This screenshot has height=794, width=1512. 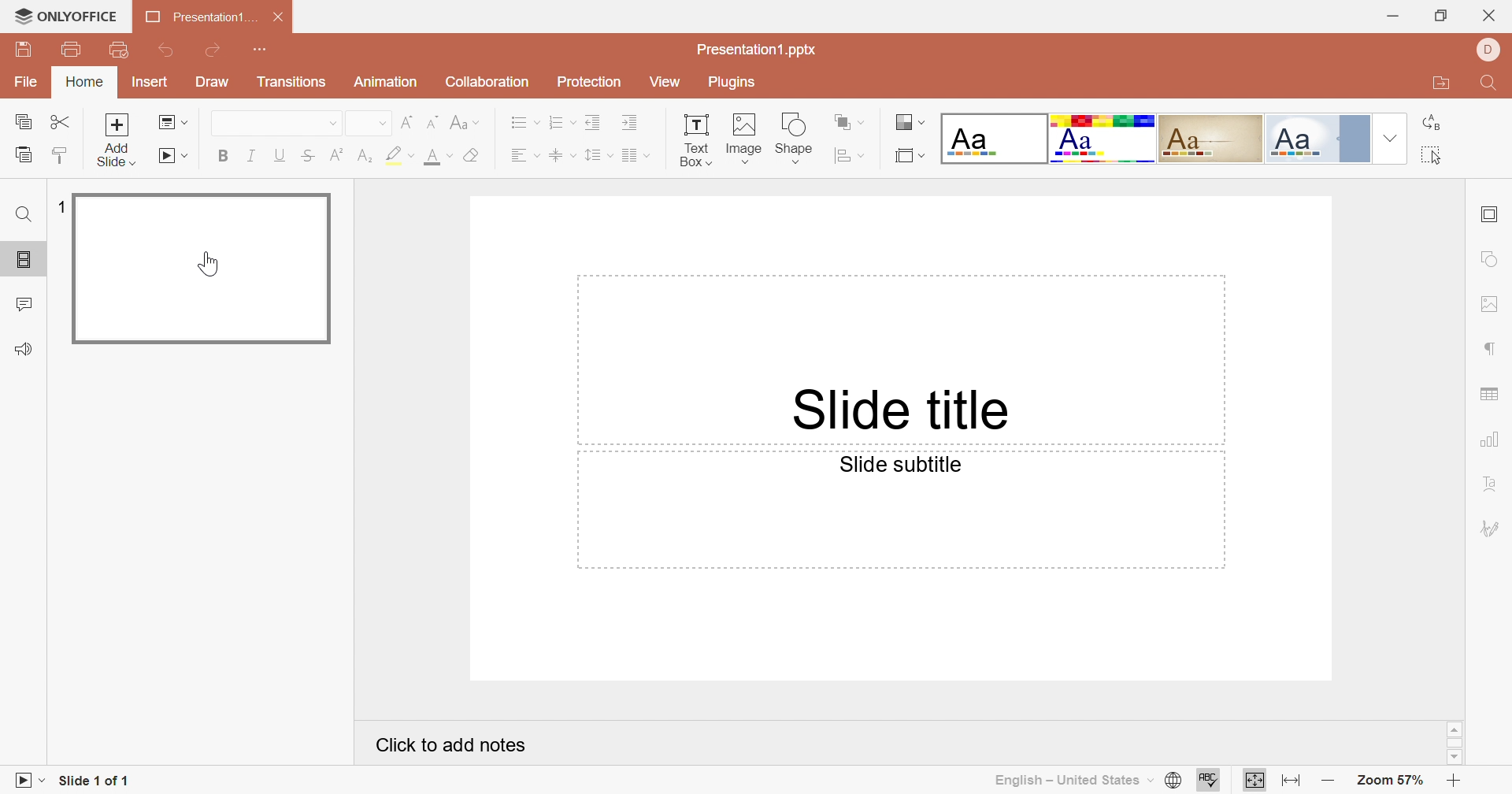 I want to click on Find, so click(x=21, y=212).